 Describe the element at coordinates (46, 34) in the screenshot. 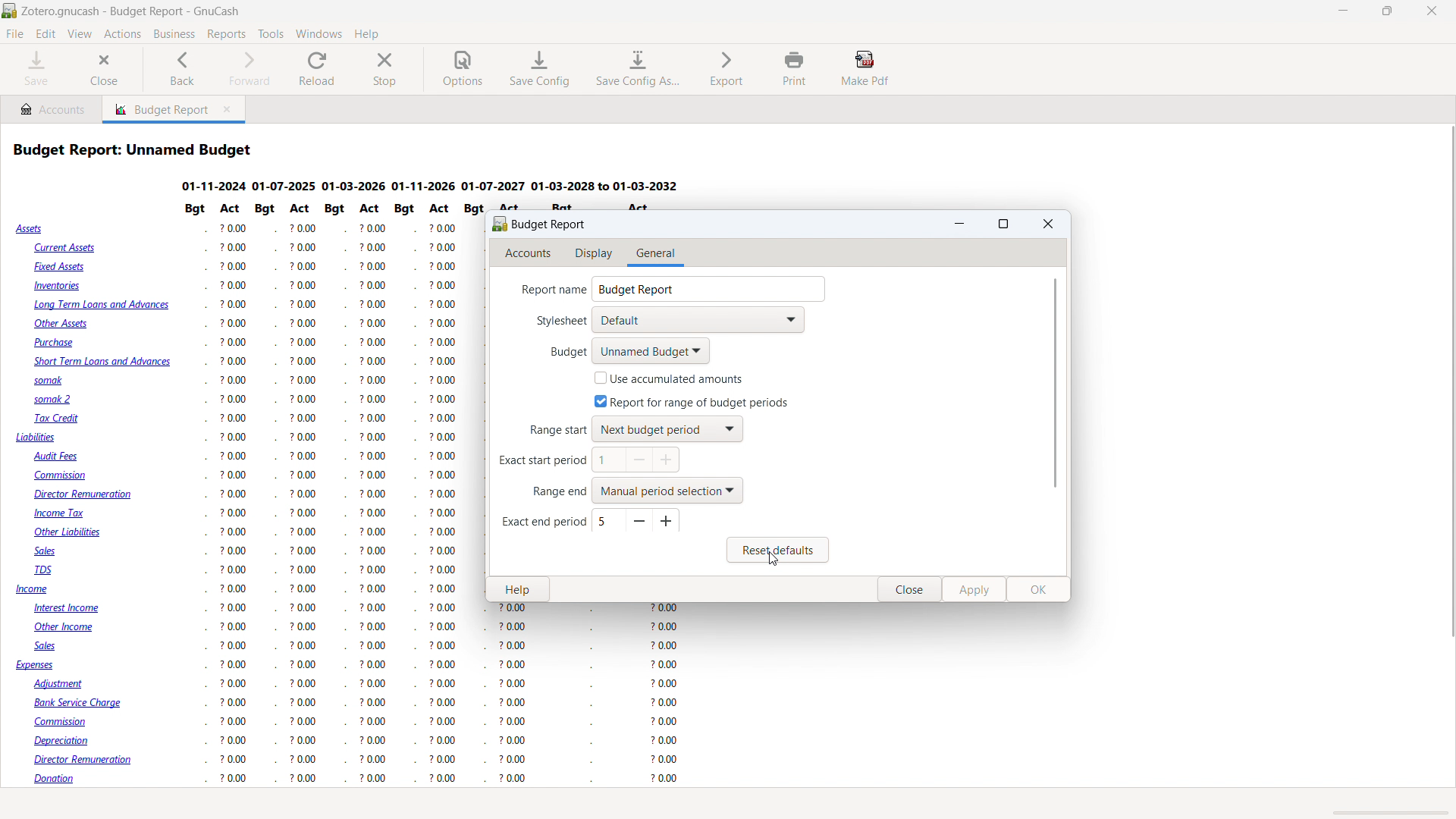

I see `edit` at that location.